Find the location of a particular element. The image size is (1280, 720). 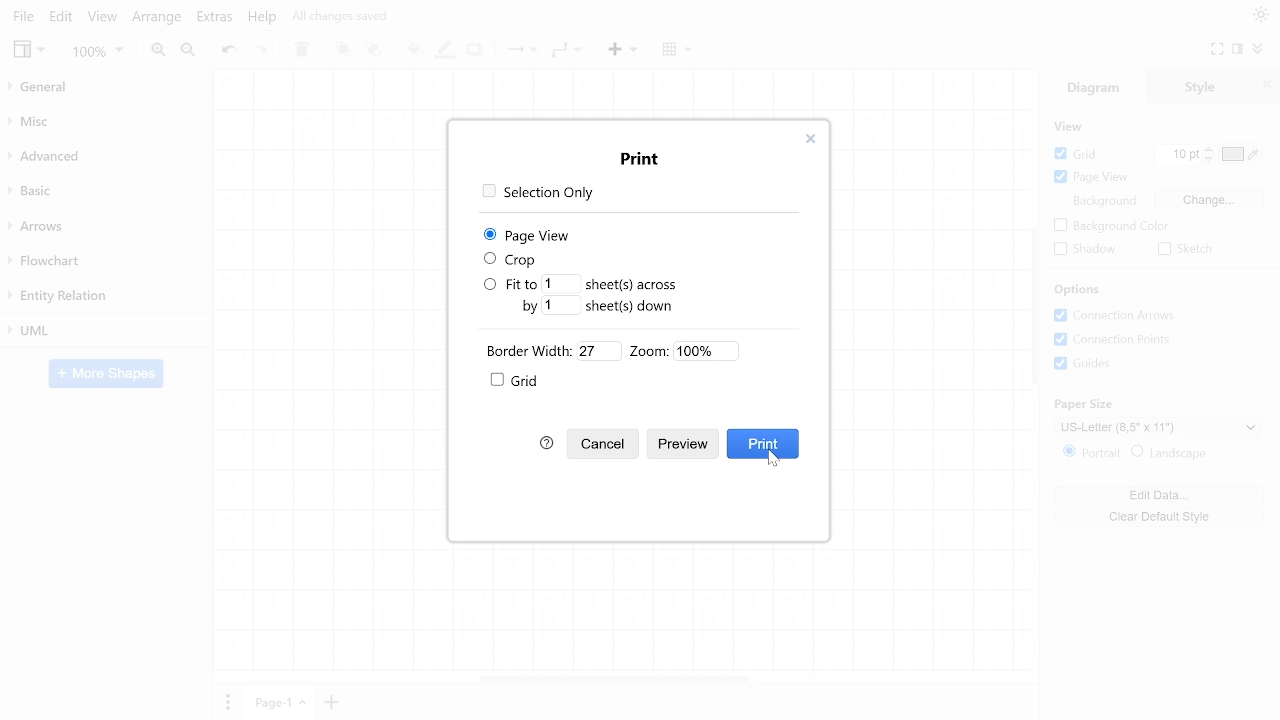

Guides is located at coordinates (1088, 364).